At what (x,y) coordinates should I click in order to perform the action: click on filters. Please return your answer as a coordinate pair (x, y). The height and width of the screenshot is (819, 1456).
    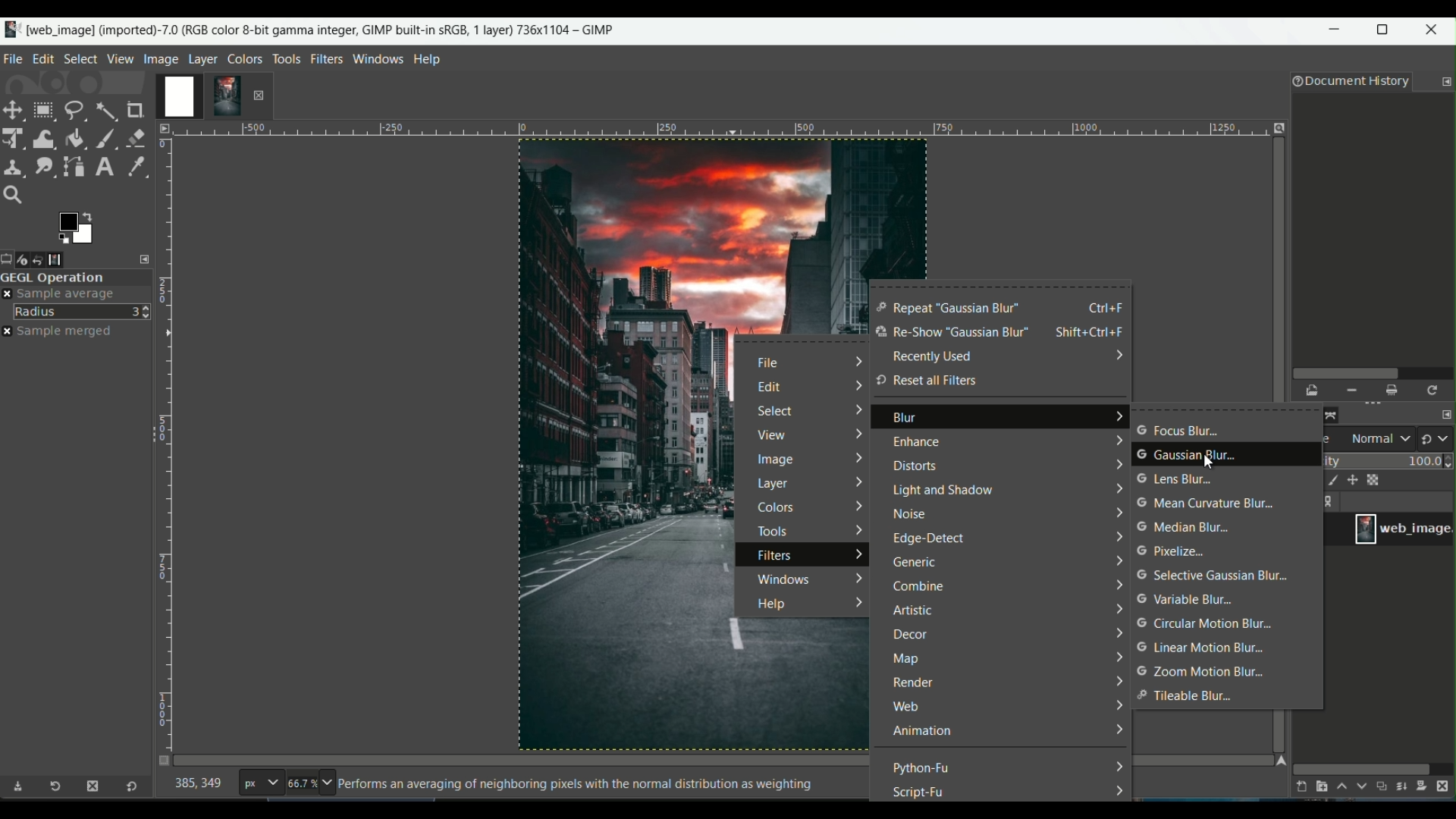
    Looking at the image, I should click on (776, 557).